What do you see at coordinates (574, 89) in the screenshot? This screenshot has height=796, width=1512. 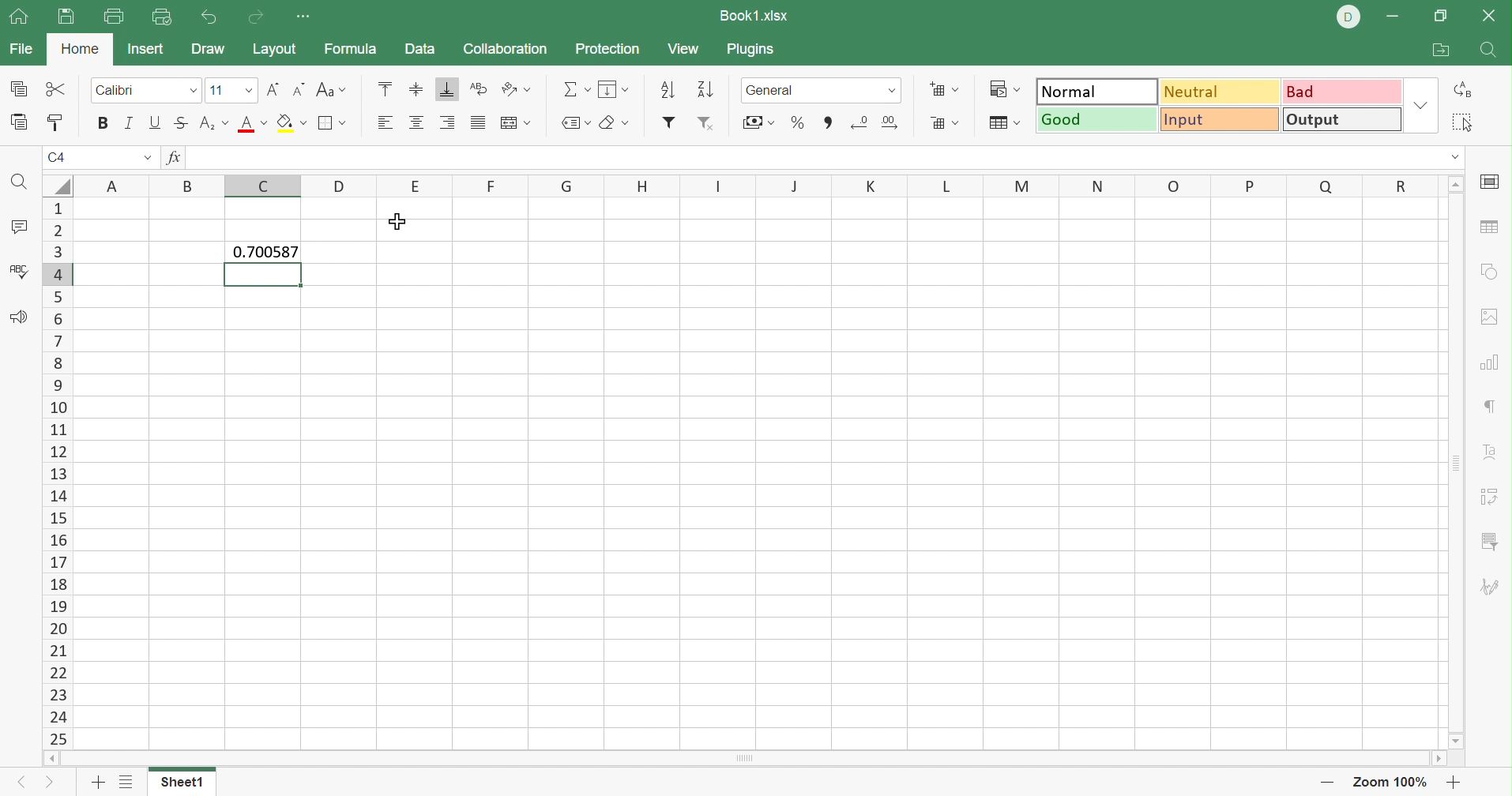 I see `Summation` at bounding box center [574, 89].